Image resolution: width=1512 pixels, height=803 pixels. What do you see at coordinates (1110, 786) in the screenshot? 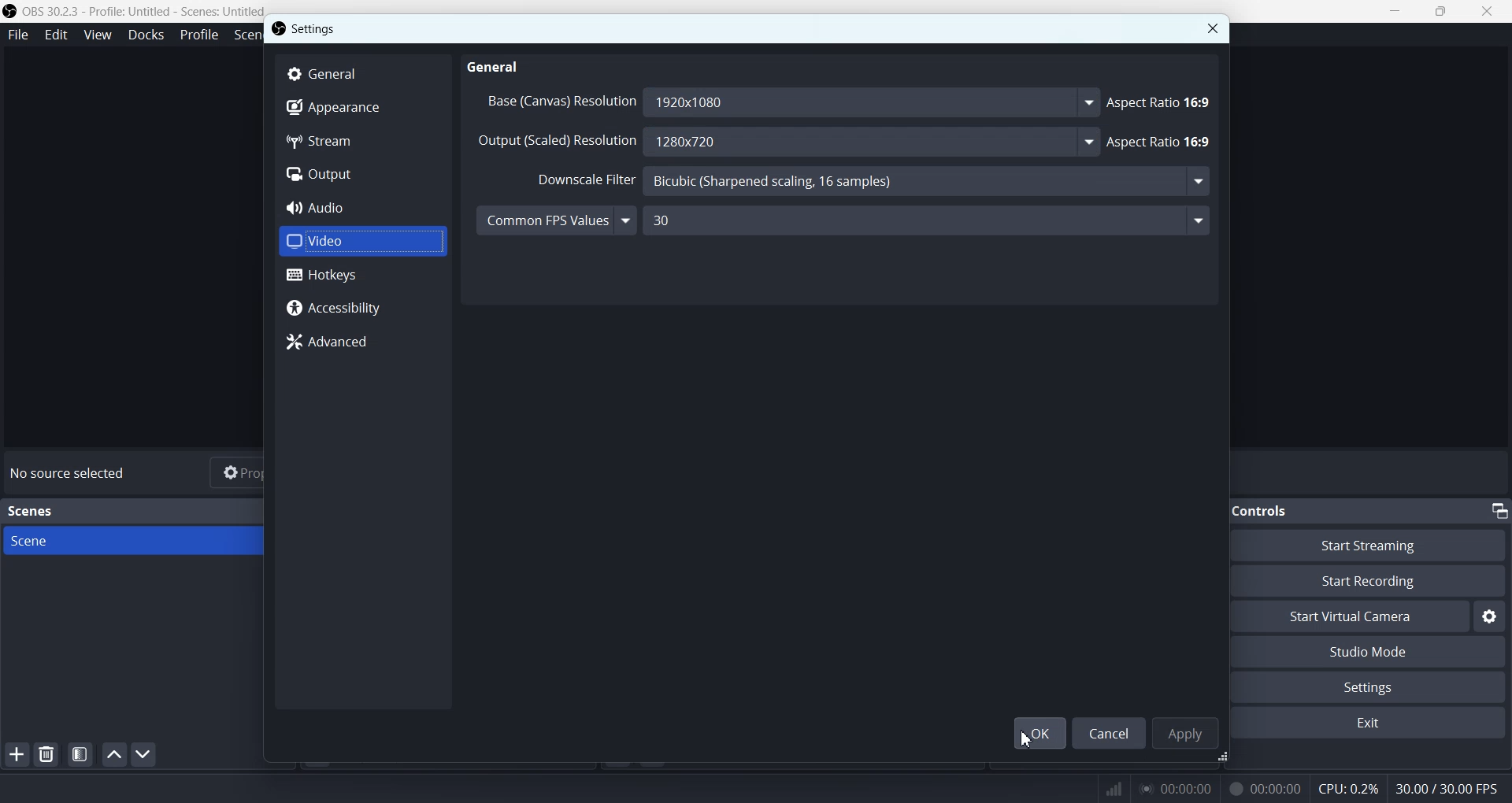
I see `network` at bounding box center [1110, 786].